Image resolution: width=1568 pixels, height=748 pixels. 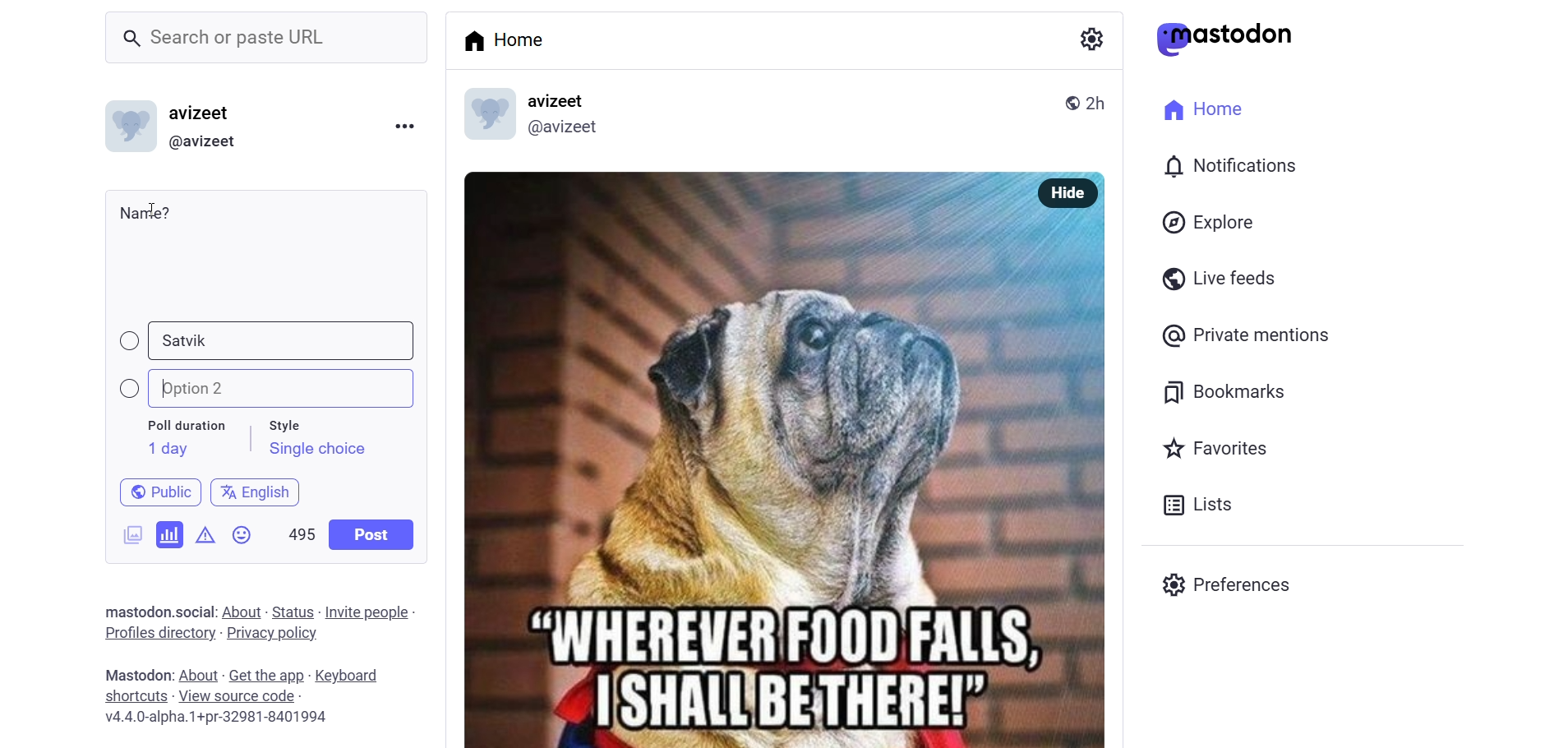 What do you see at coordinates (135, 696) in the screenshot?
I see `shortcuts` at bounding box center [135, 696].